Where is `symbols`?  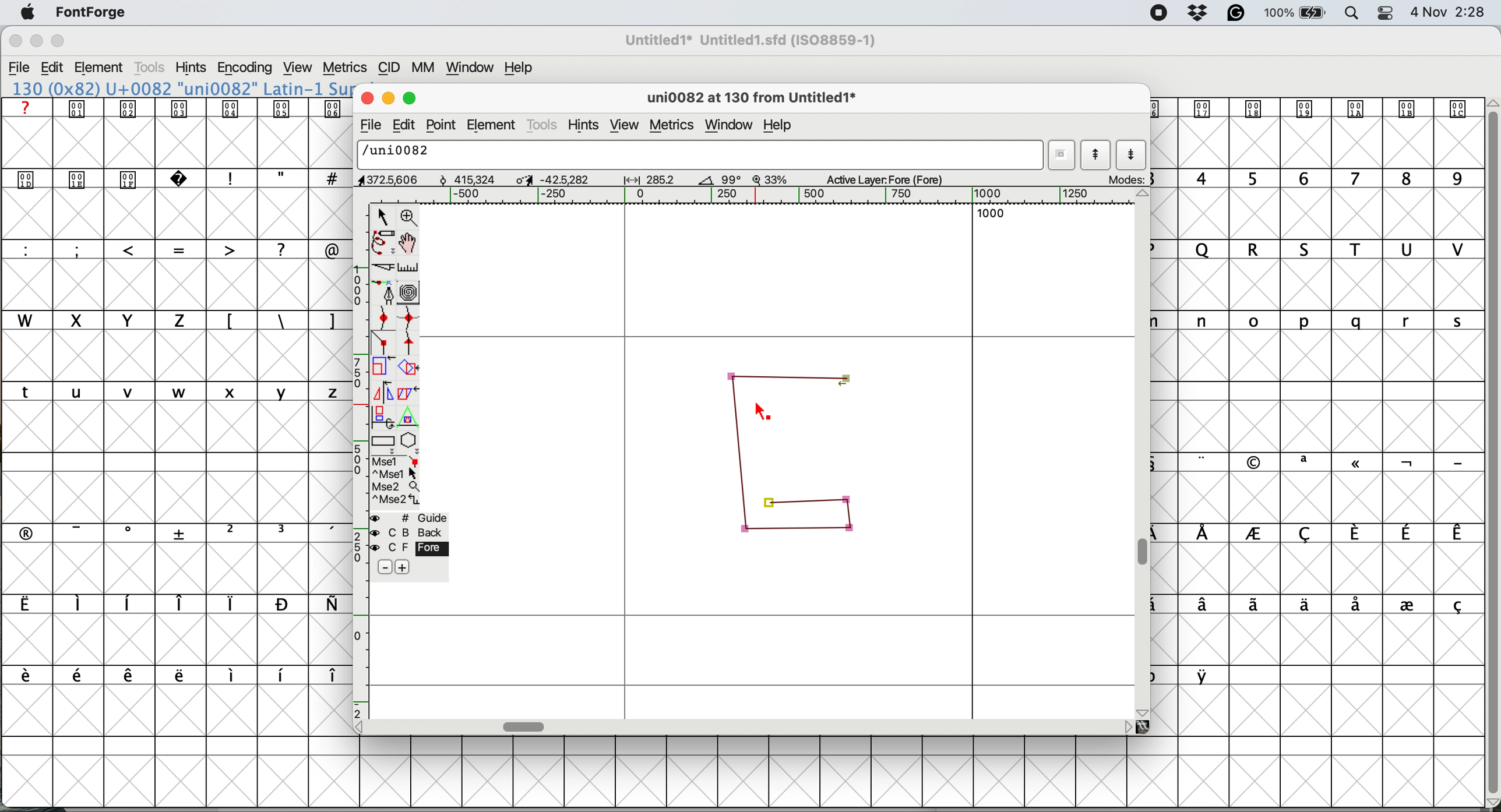 symbols is located at coordinates (179, 108).